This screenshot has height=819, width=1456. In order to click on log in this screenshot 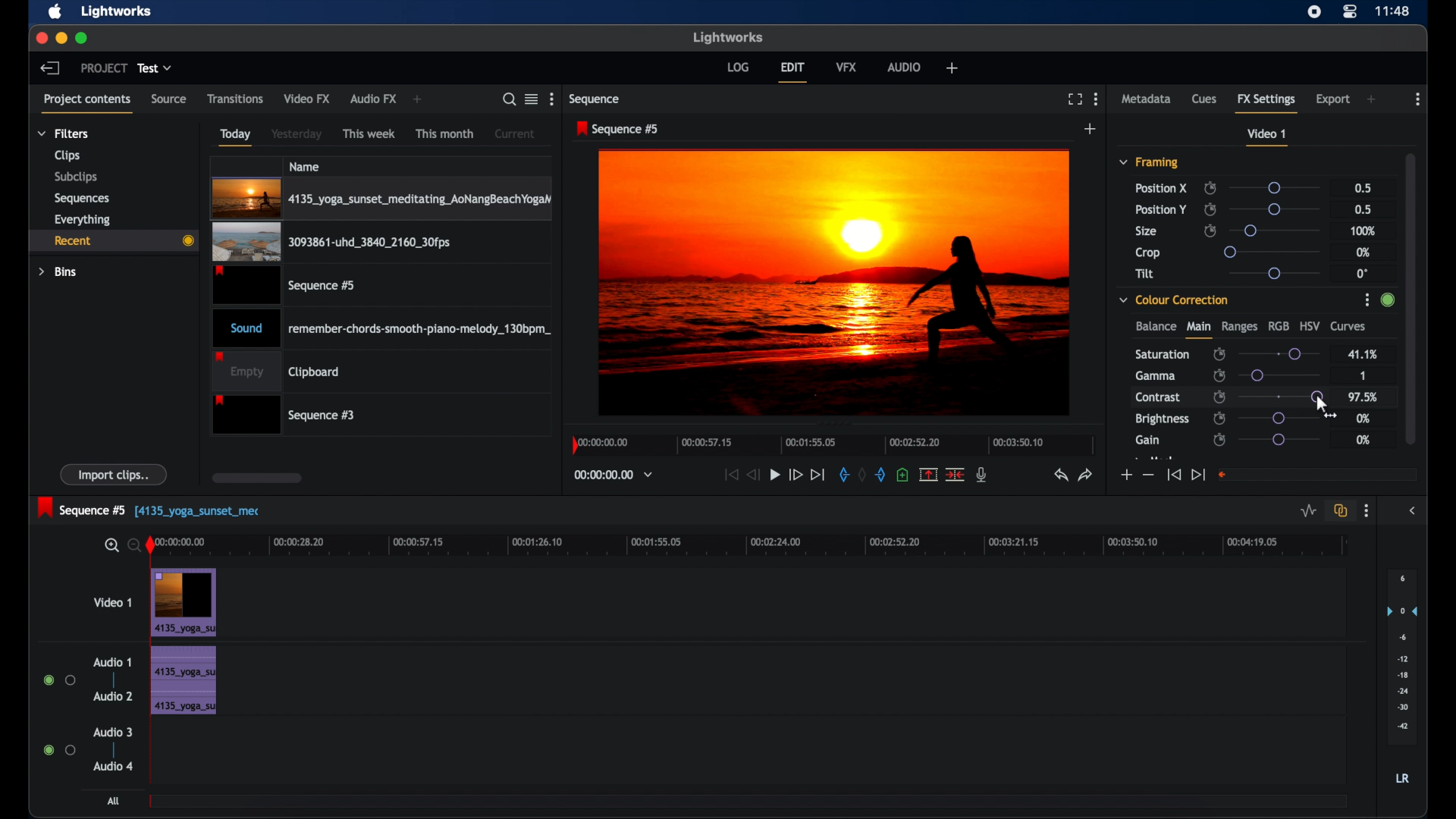, I will do `click(738, 66)`.